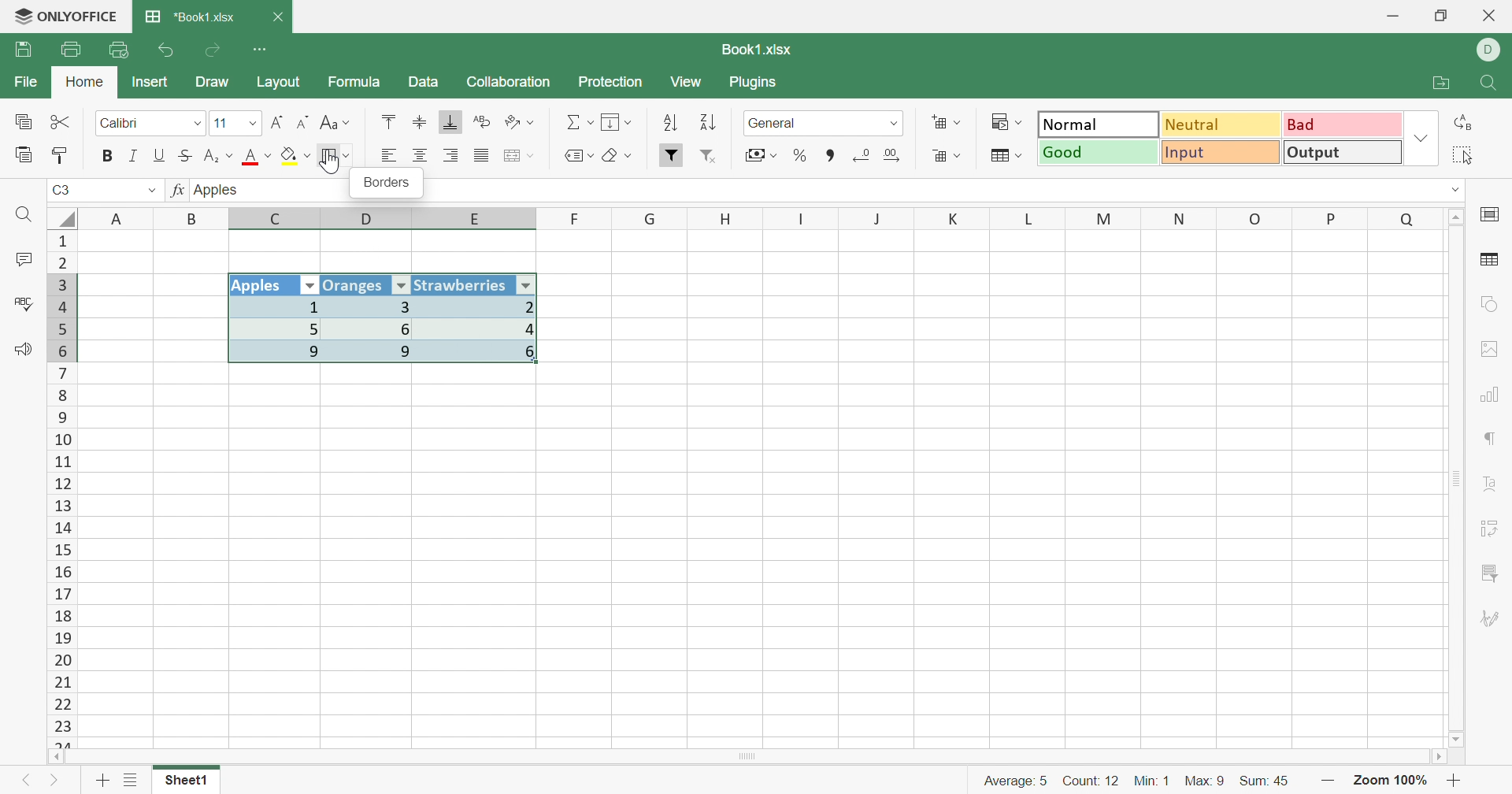 This screenshot has width=1512, height=794. Describe the element at coordinates (420, 156) in the screenshot. I see `Align Center` at that location.